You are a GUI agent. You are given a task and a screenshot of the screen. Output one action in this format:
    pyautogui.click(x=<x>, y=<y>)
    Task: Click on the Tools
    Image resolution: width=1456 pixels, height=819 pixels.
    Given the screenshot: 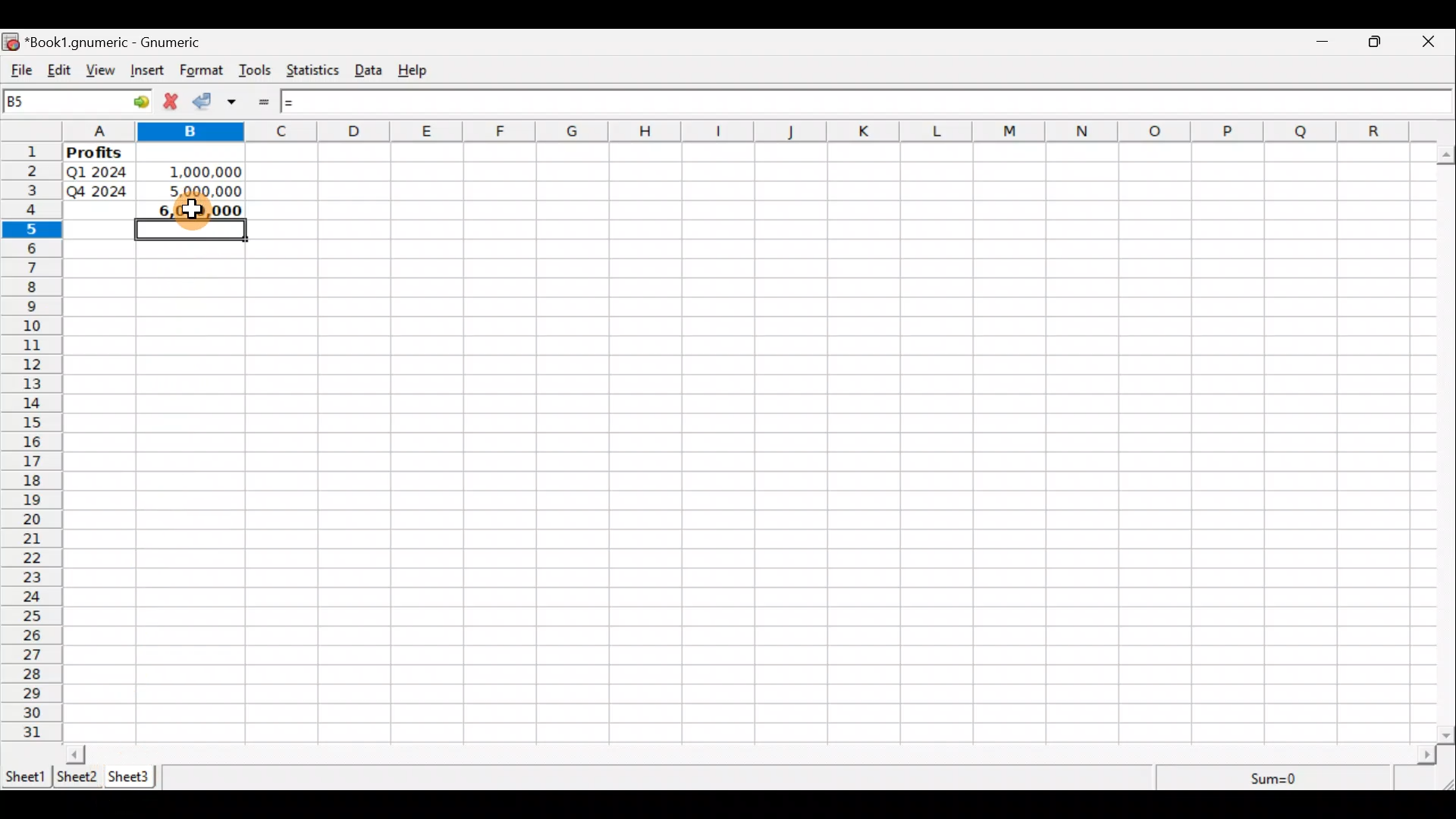 What is the action you would take?
    pyautogui.click(x=256, y=71)
    